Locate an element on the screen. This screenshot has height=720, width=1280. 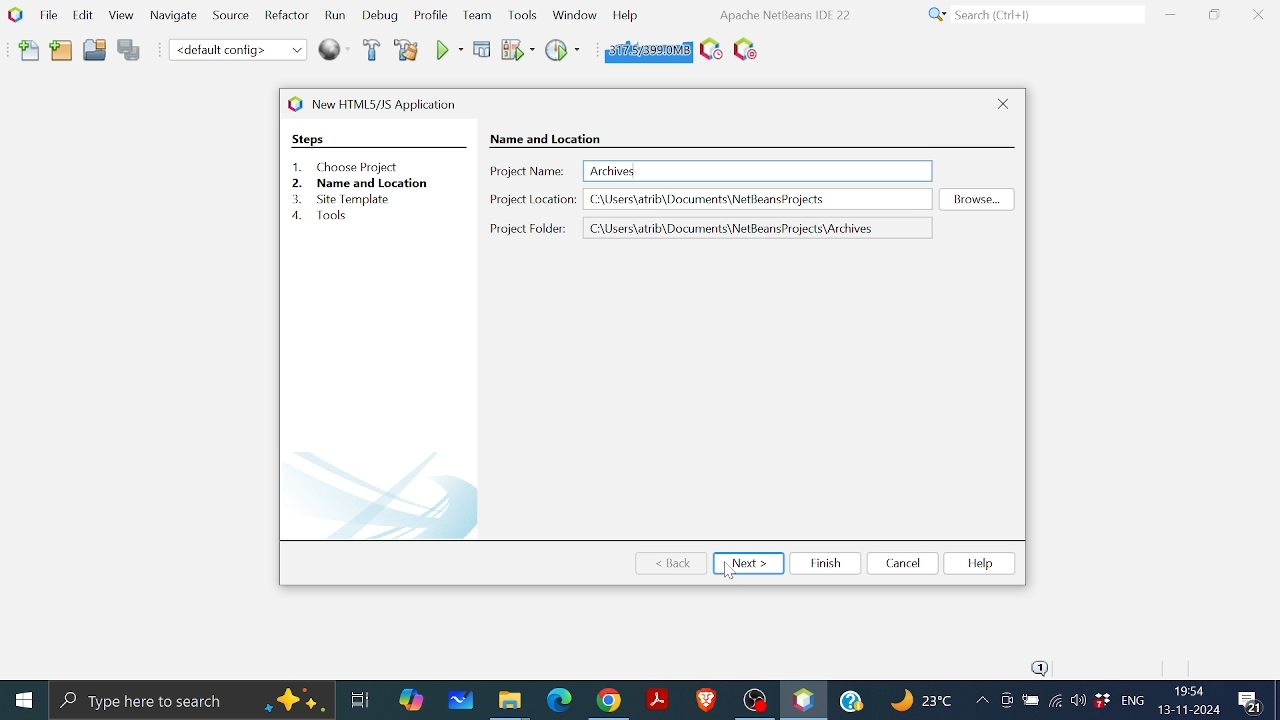
Show hidden icons is located at coordinates (981, 702).